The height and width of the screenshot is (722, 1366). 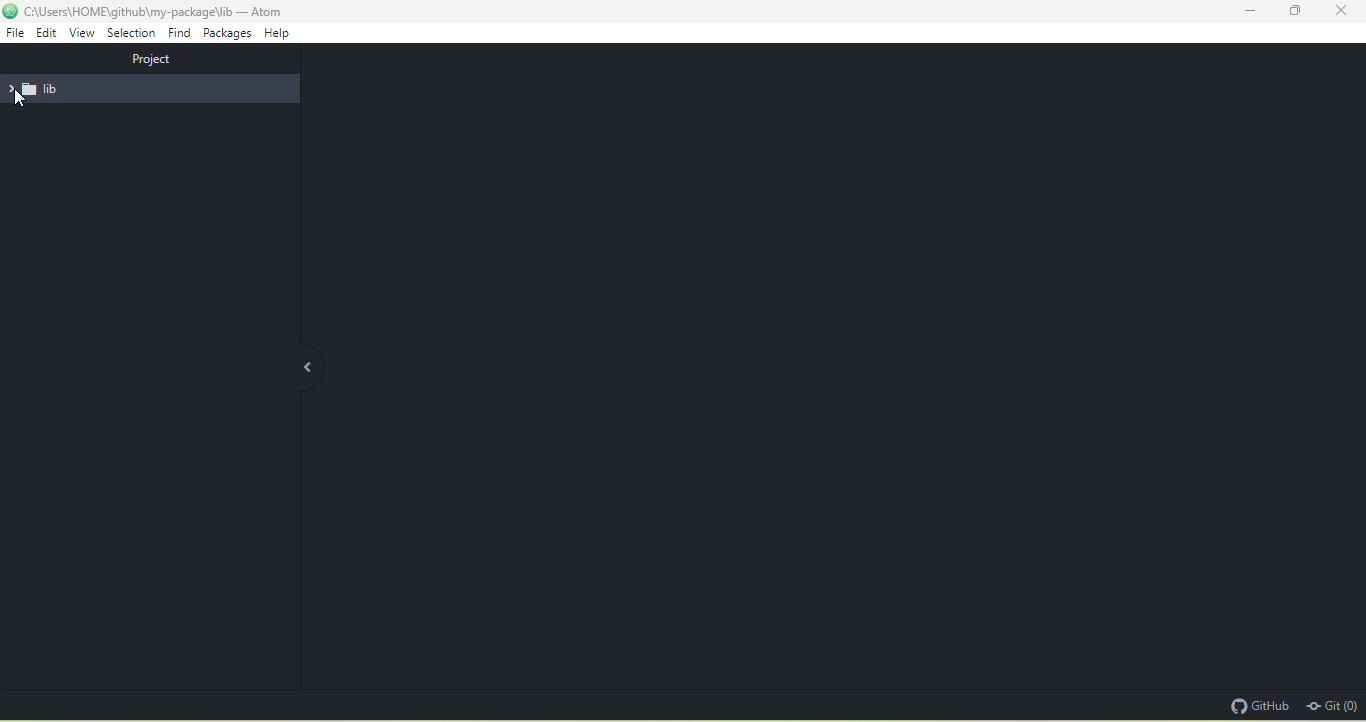 What do you see at coordinates (180, 34) in the screenshot?
I see `find` at bounding box center [180, 34].